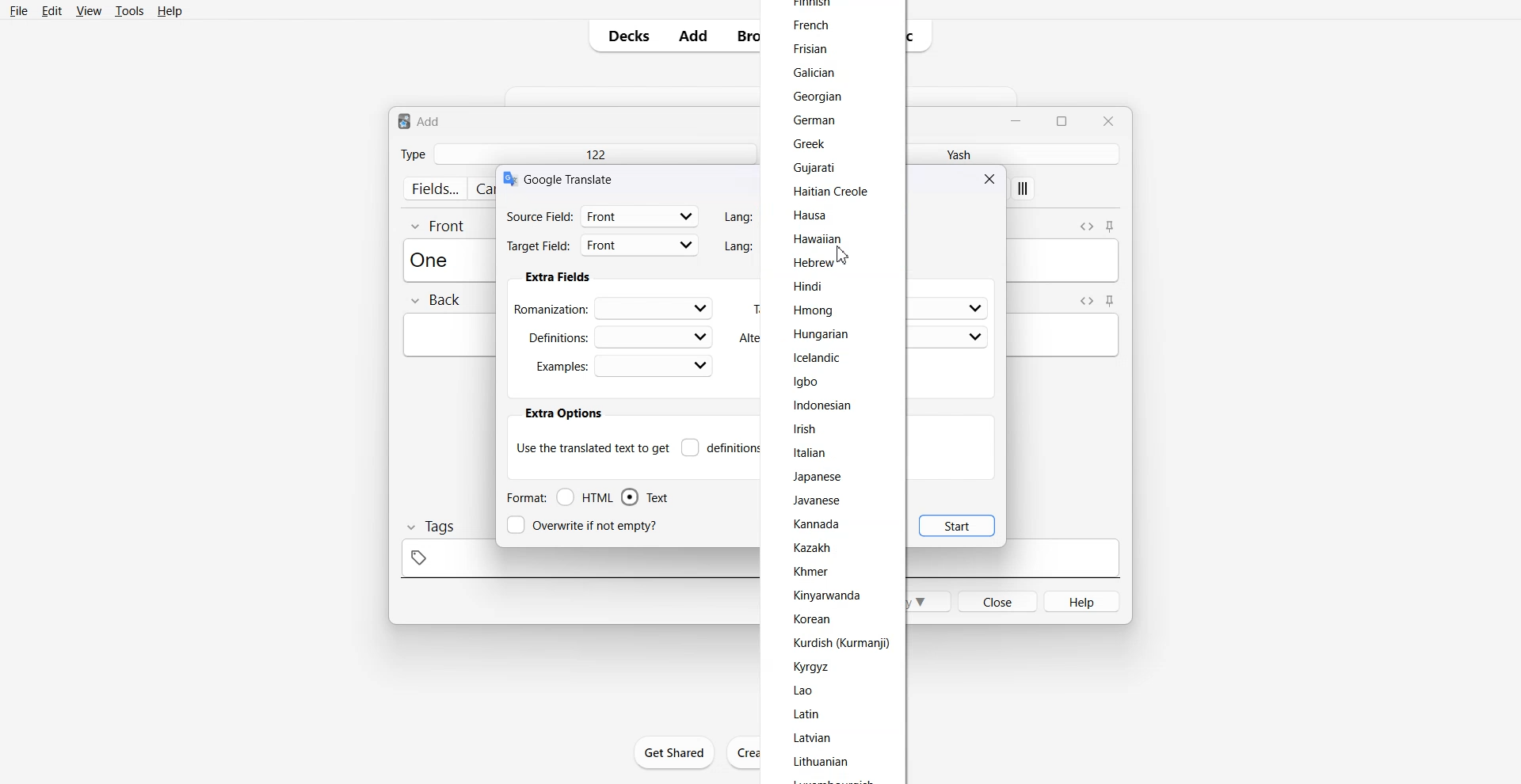 This screenshot has width=1521, height=784. What do you see at coordinates (434, 259) in the screenshot?
I see `Text` at bounding box center [434, 259].